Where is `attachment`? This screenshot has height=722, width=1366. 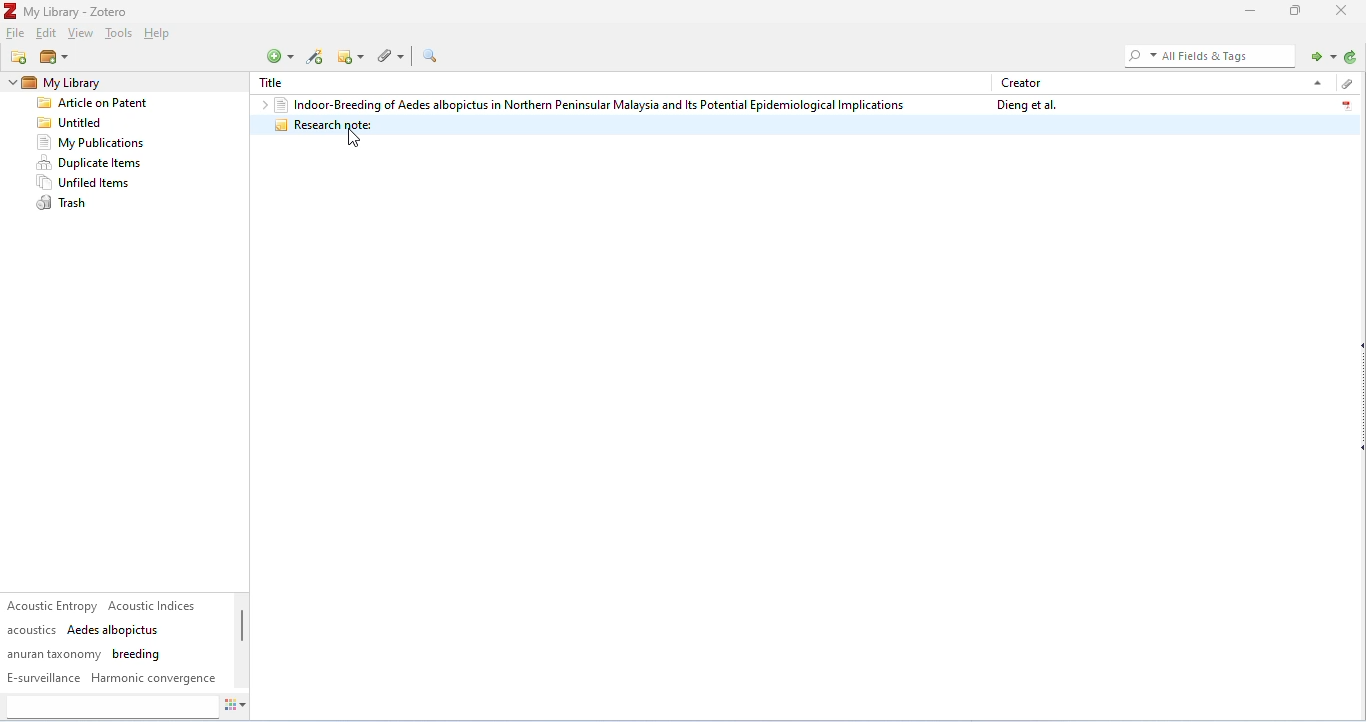 attachment is located at coordinates (394, 55).